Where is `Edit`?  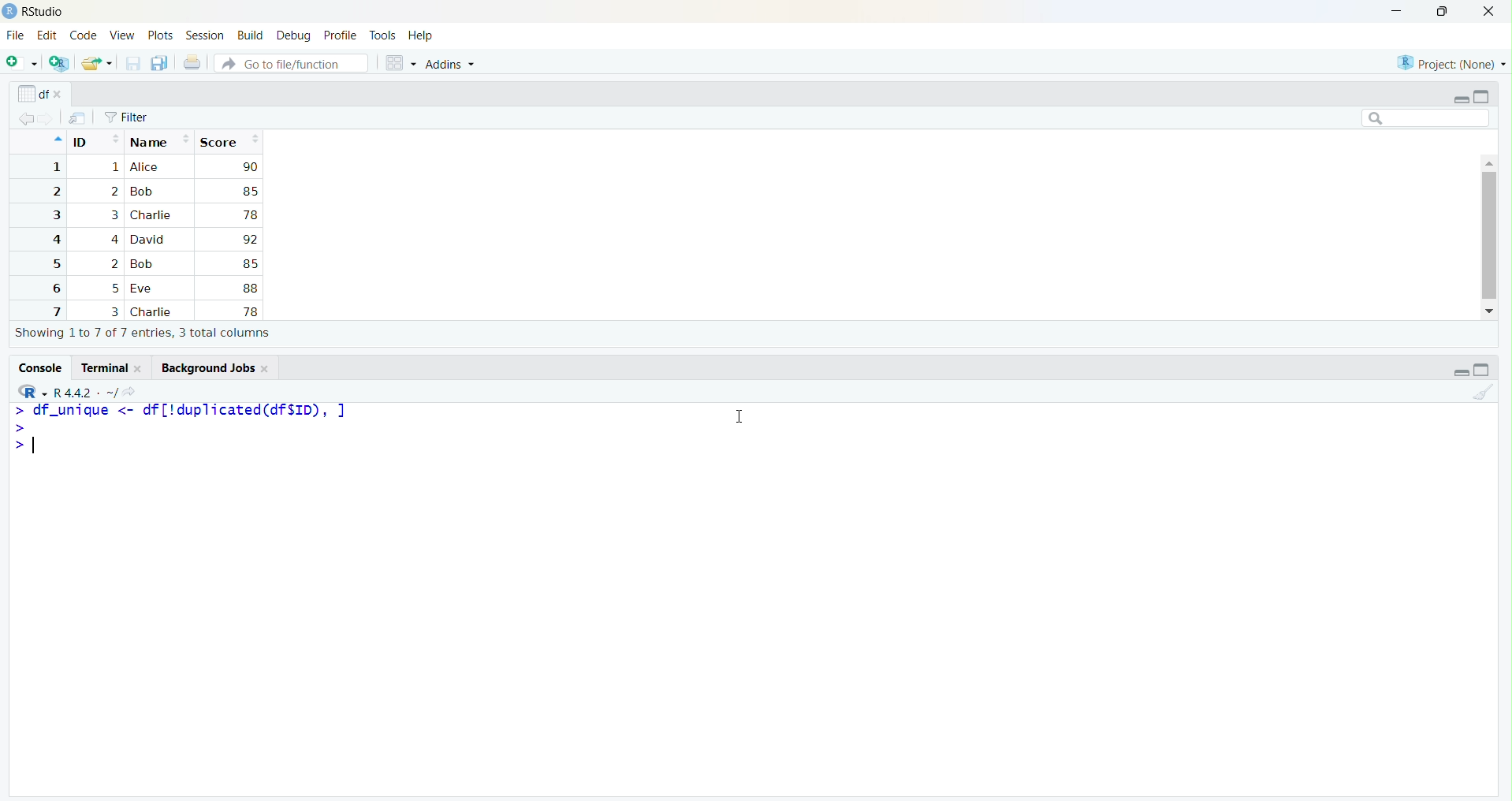
Edit is located at coordinates (47, 35).